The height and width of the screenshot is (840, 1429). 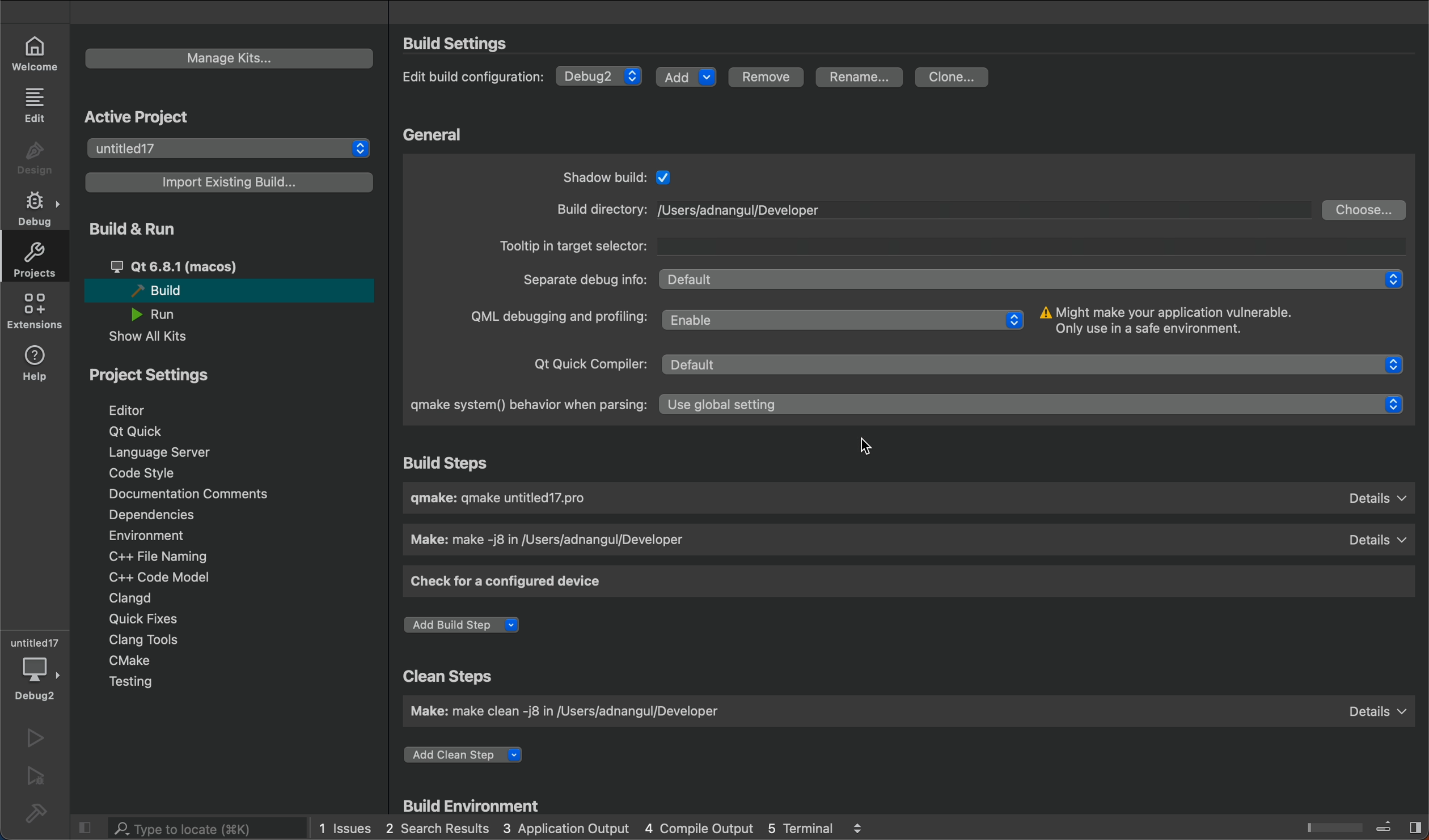 I want to click on tooltip, so click(x=1024, y=243).